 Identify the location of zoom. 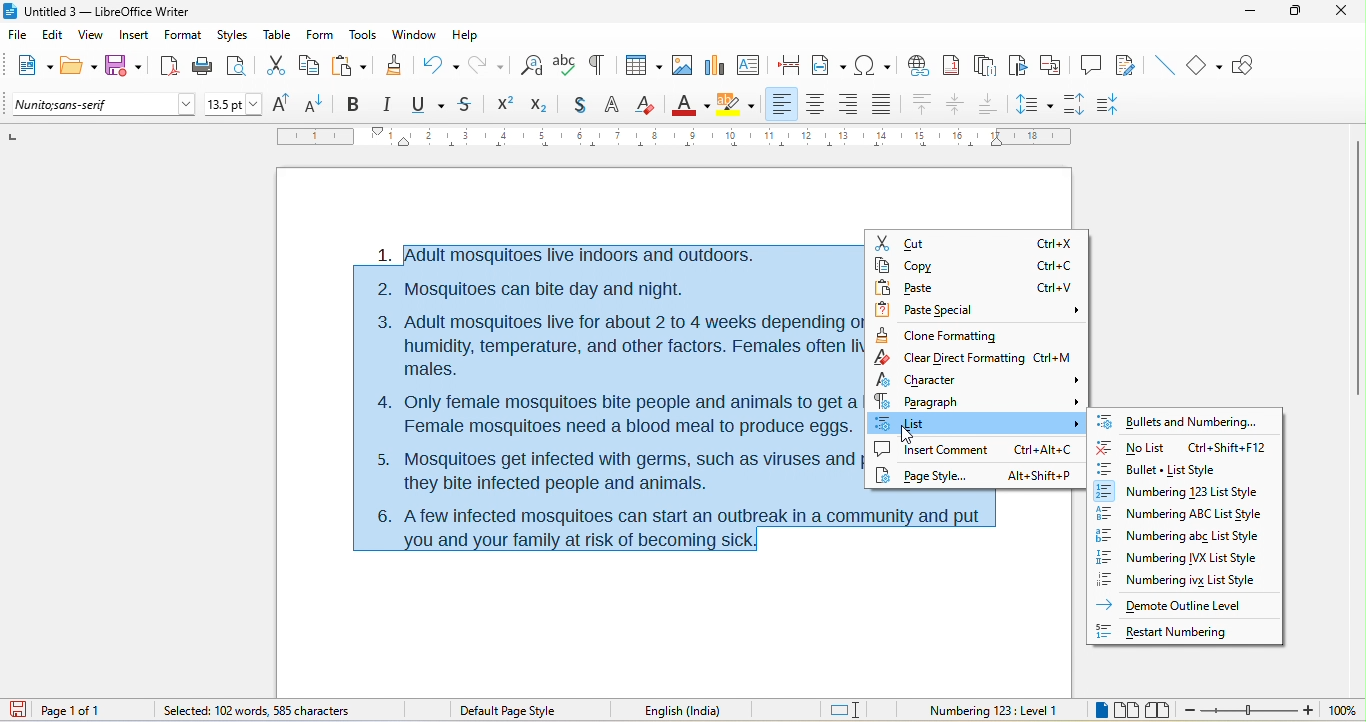
(1272, 711).